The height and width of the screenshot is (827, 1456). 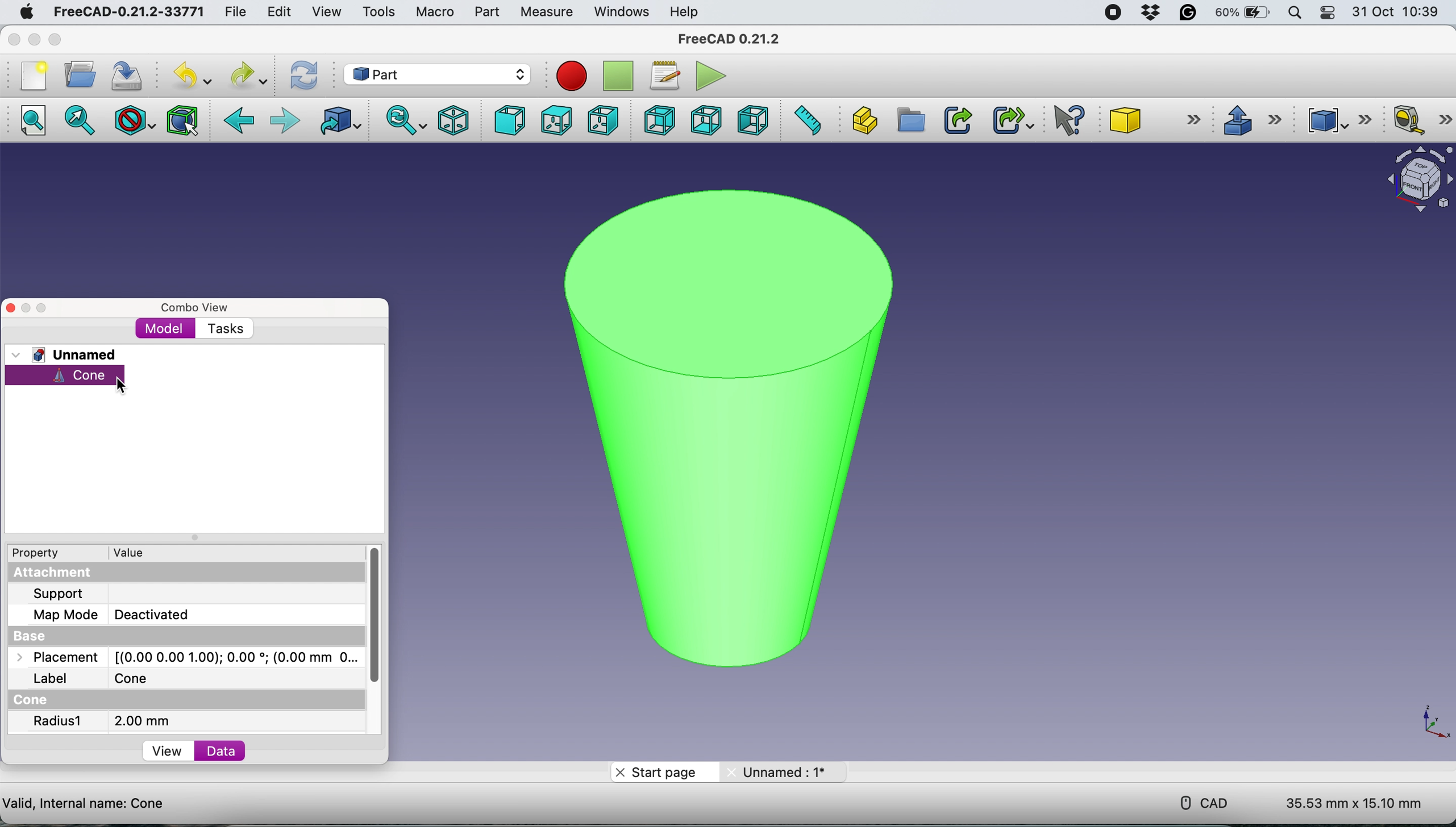 I want to click on make sub link, so click(x=1012, y=120).